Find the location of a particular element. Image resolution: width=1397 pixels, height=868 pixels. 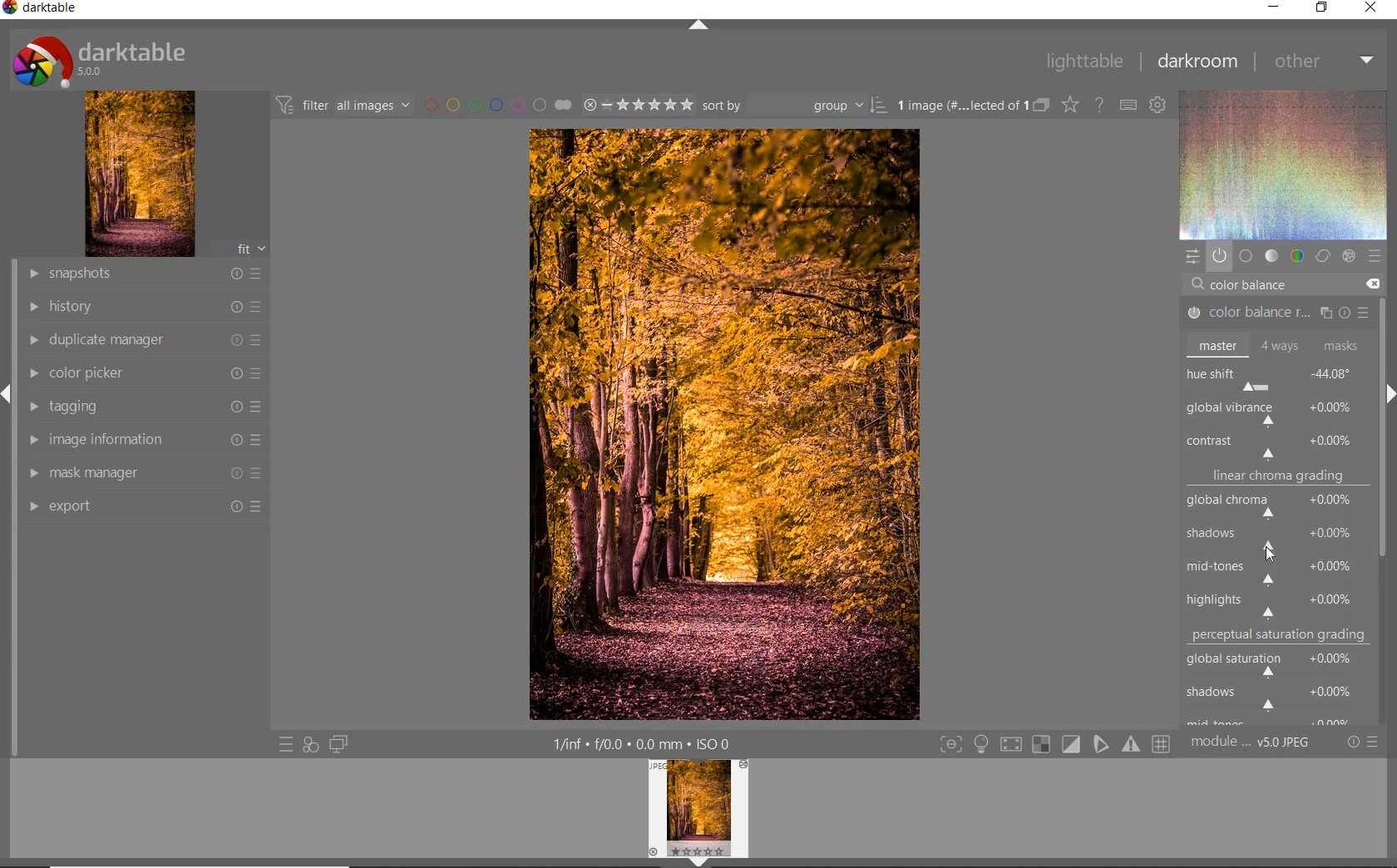

darkroom is located at coordinates (1198, 61).